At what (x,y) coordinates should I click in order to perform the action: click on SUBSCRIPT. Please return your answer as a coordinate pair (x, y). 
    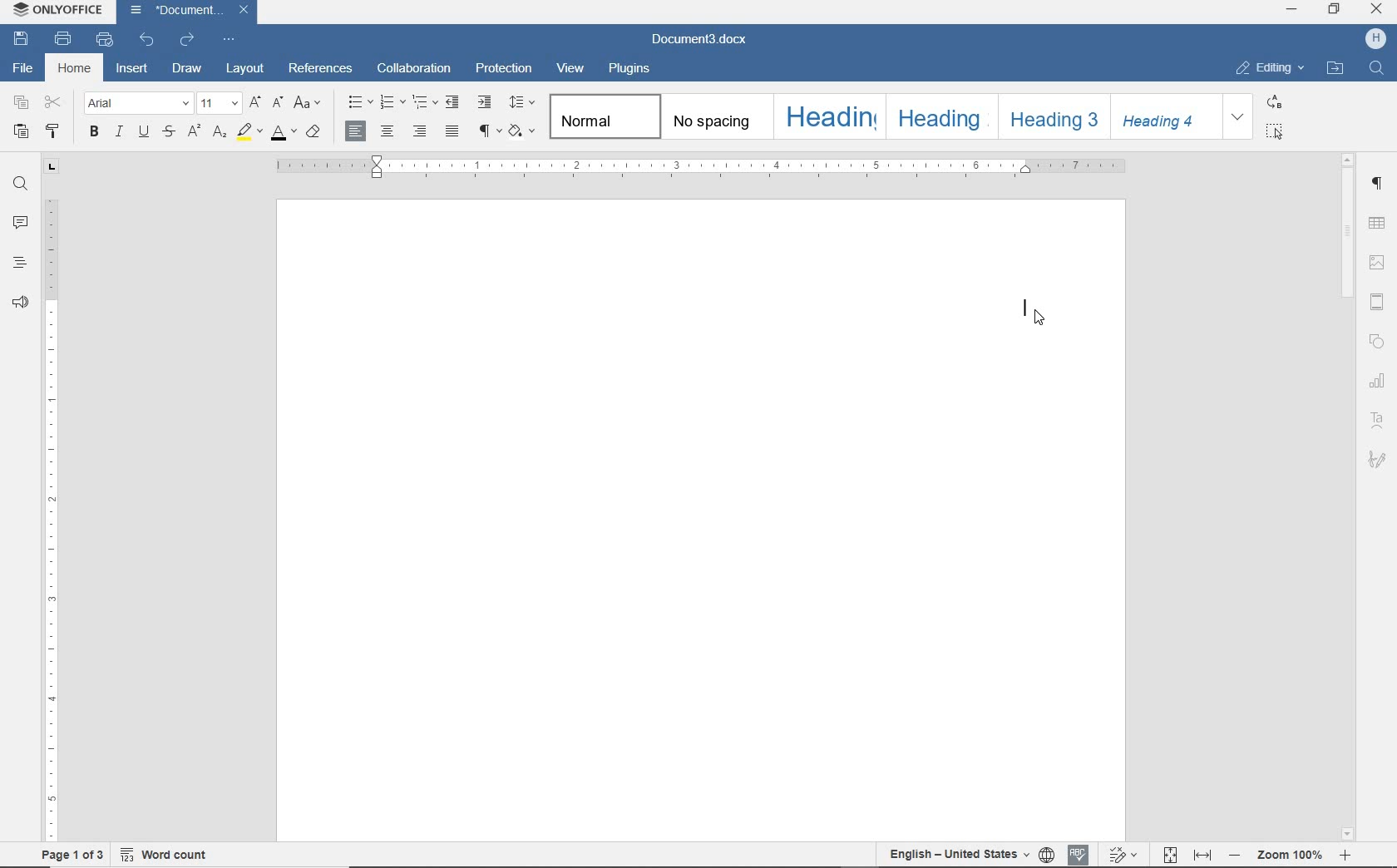
    Looking at the image, I should click on (219, 131).